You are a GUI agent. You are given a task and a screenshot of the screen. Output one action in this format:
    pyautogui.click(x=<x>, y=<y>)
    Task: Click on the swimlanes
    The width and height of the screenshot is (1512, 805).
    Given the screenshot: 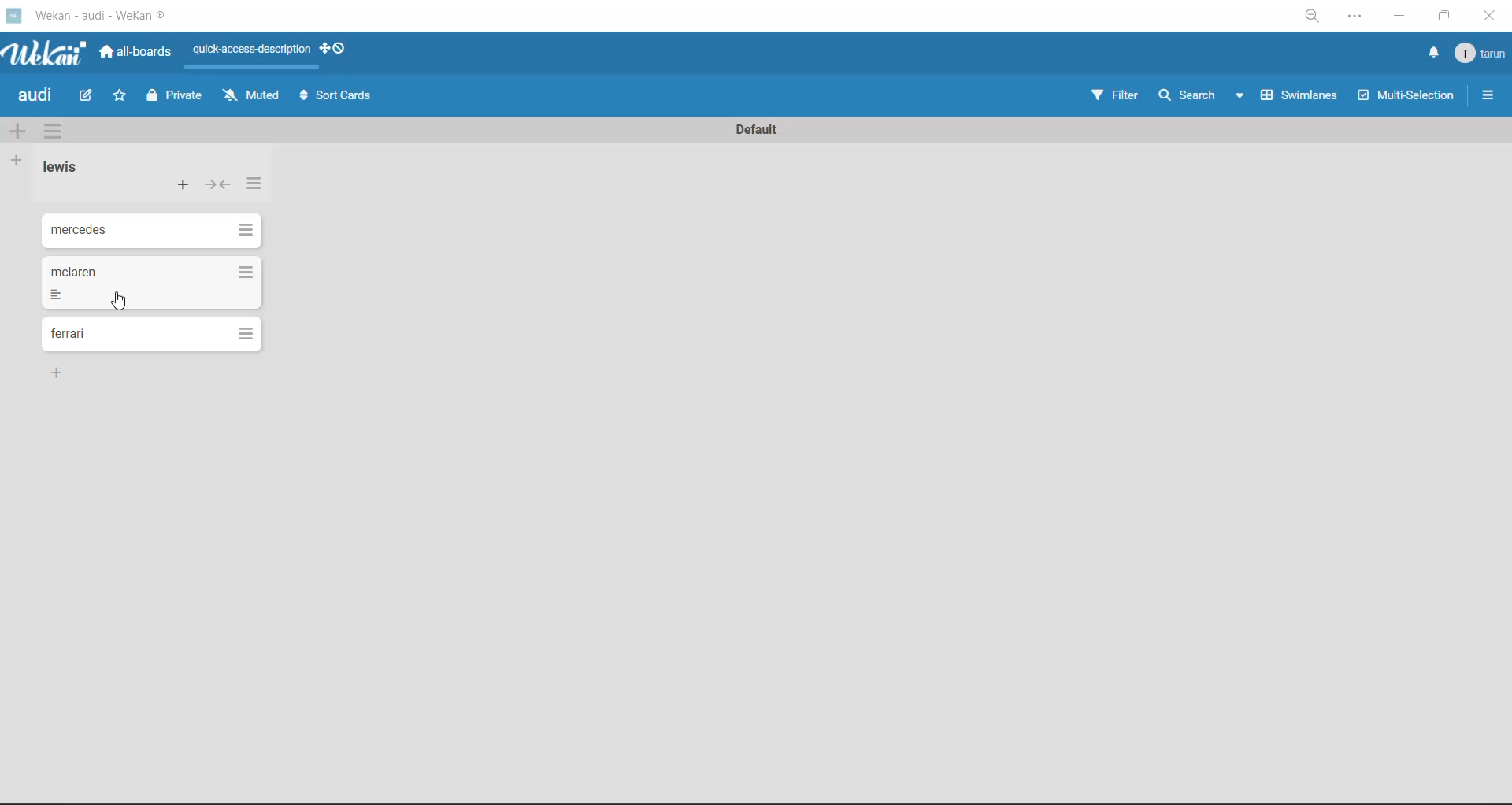 What is the action you would take?
    pyautogui.click(x=1294, y=99)
    